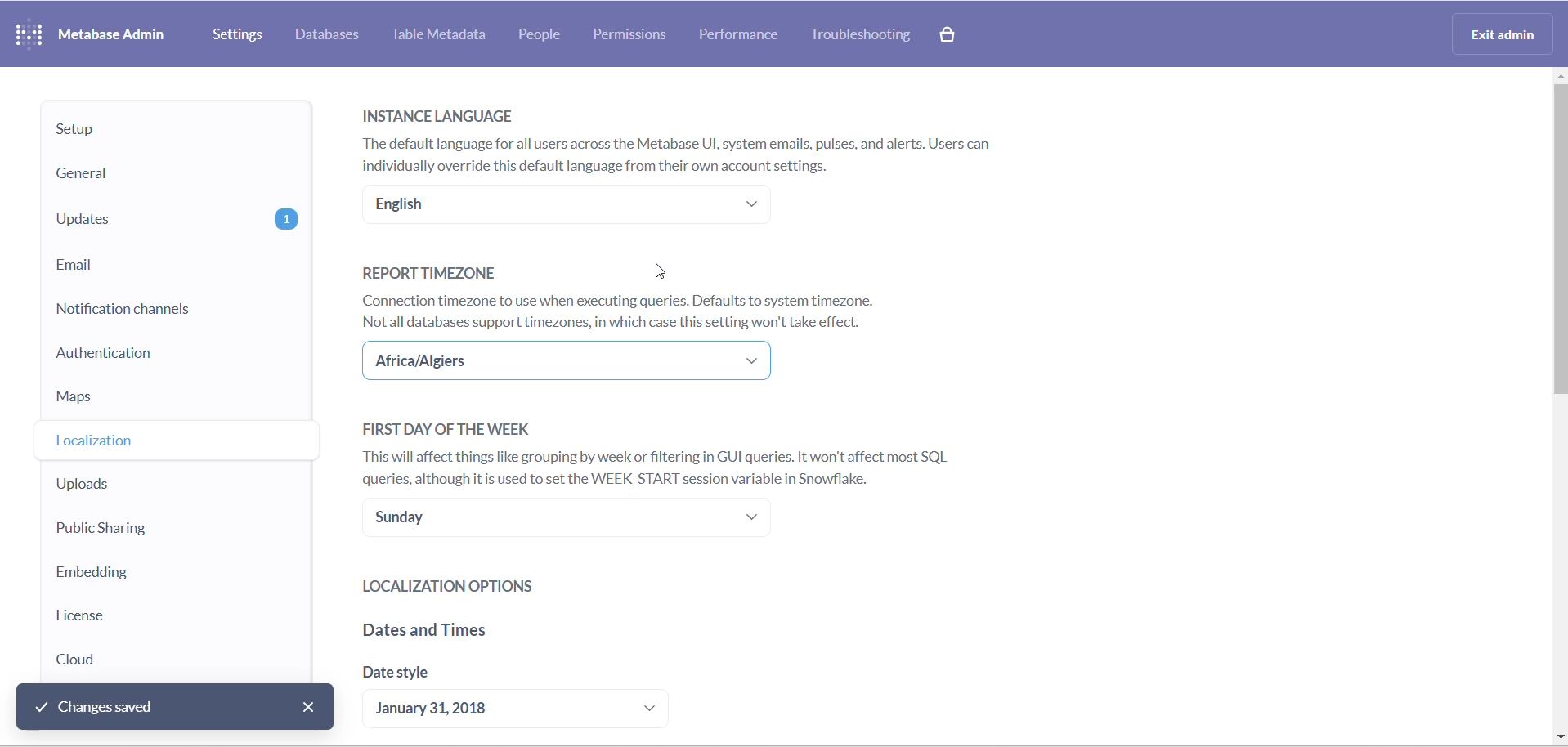 Image resolution: width=1568 pixels, height=747 pixels. Describe the element at coordinates (950, 37) in the screenshot. I see `CART` at that location.